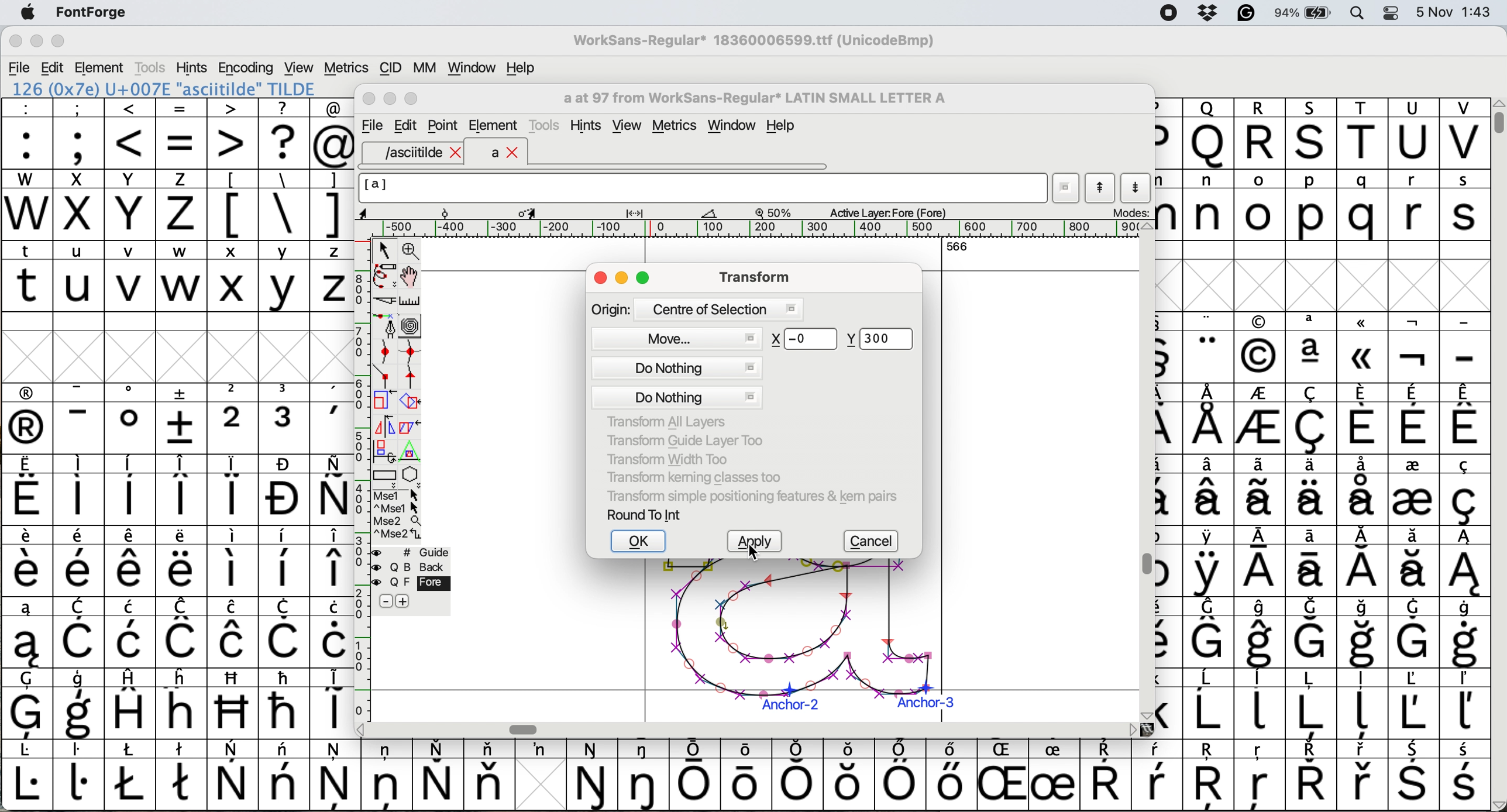 The height and width of the screenshot is (812, 1507). I want to click on symbol, so click(1412, 489).